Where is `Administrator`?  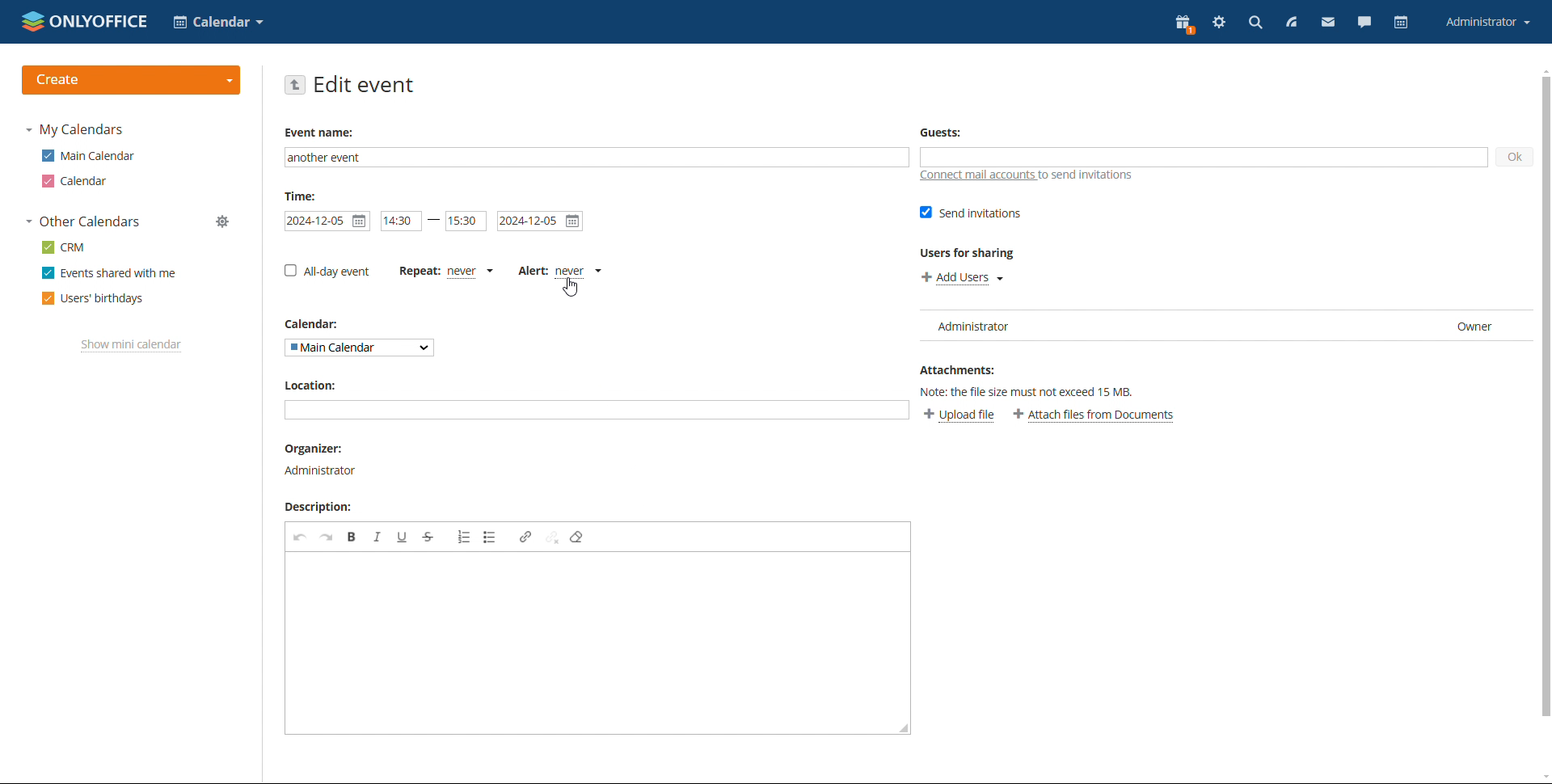
Administrator is located at coordinates (323, 470).